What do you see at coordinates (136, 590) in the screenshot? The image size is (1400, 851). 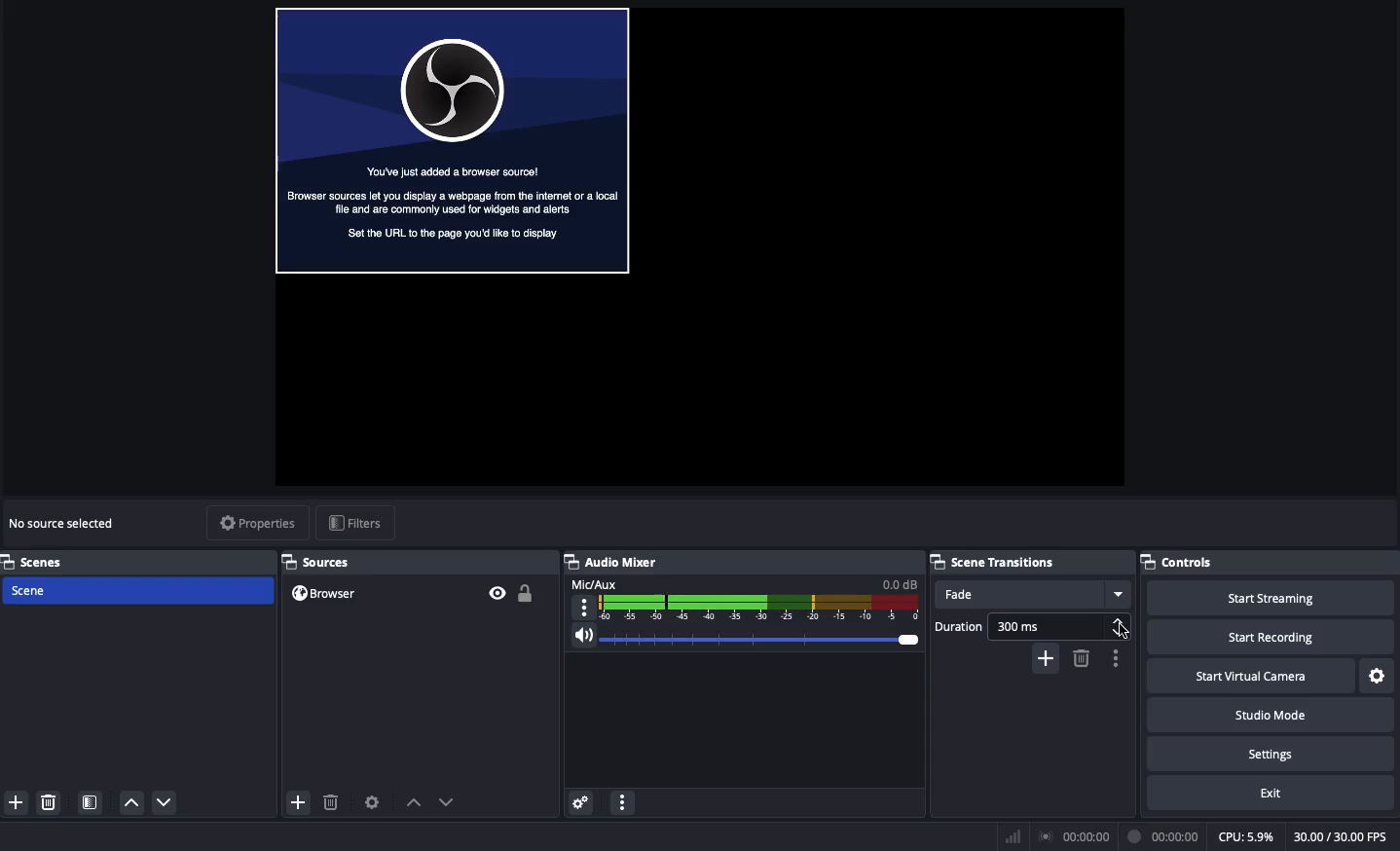 I see `Scene` at bounding box center [136, 590].